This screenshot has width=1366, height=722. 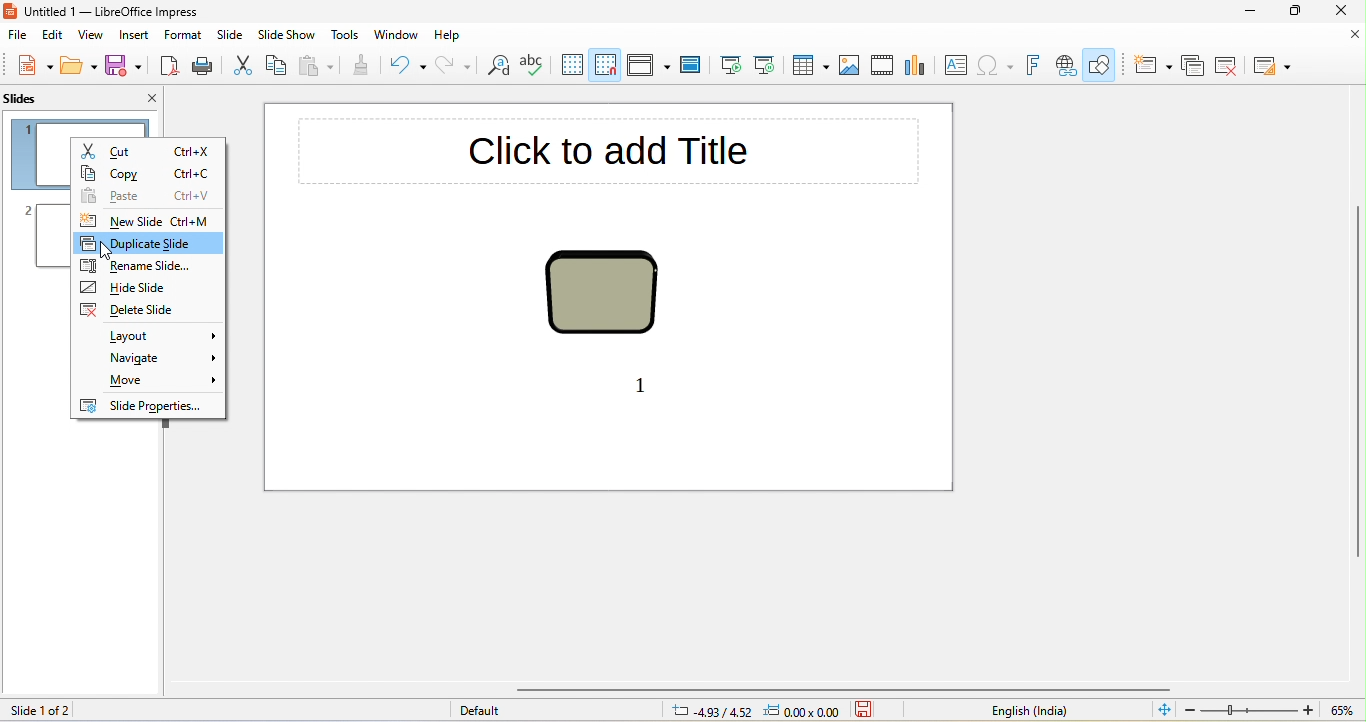 I want to click on cut, so click(x=147, y=148).